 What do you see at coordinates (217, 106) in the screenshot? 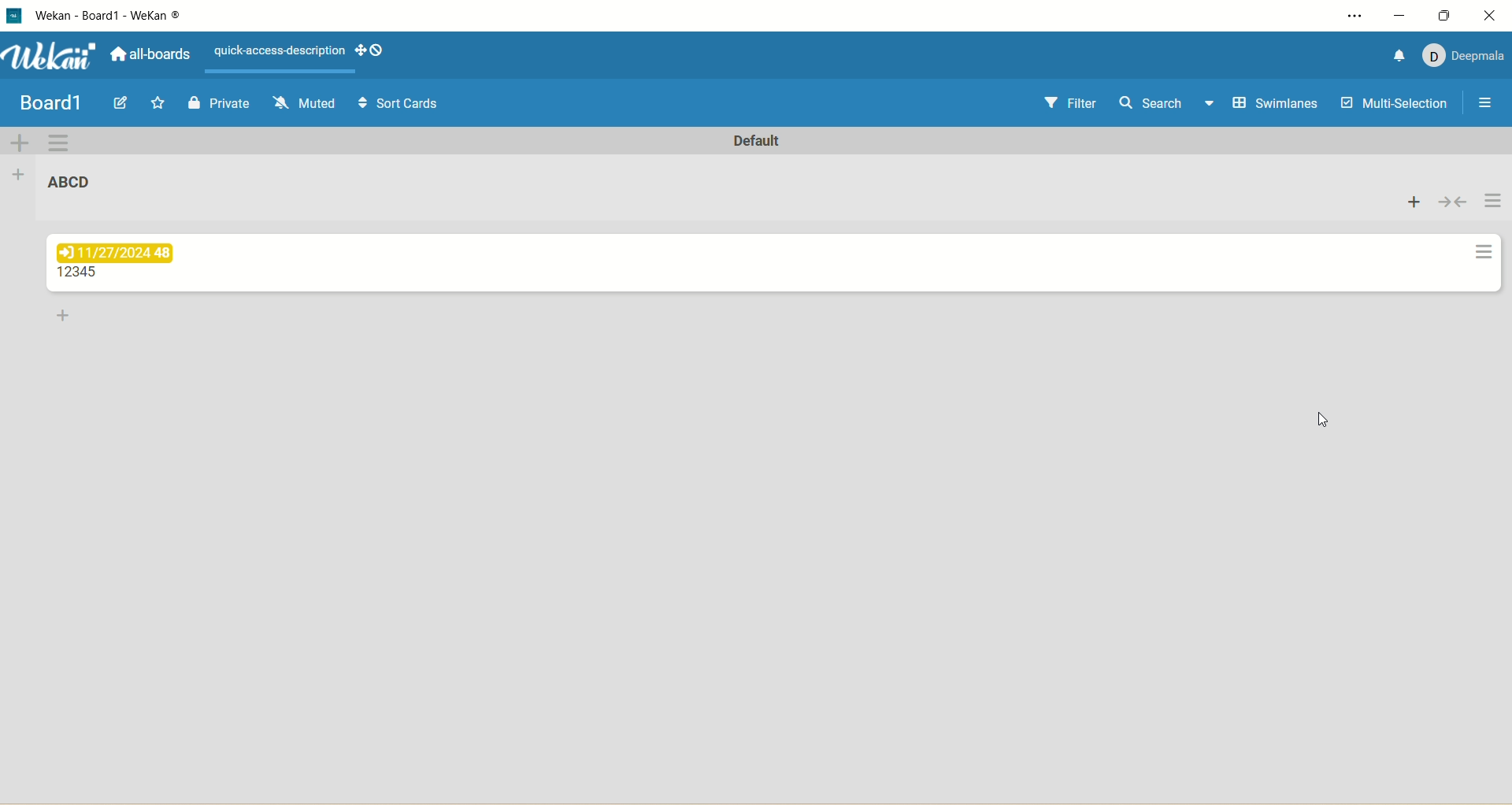
I see `private` at bounding box center [217, 106].